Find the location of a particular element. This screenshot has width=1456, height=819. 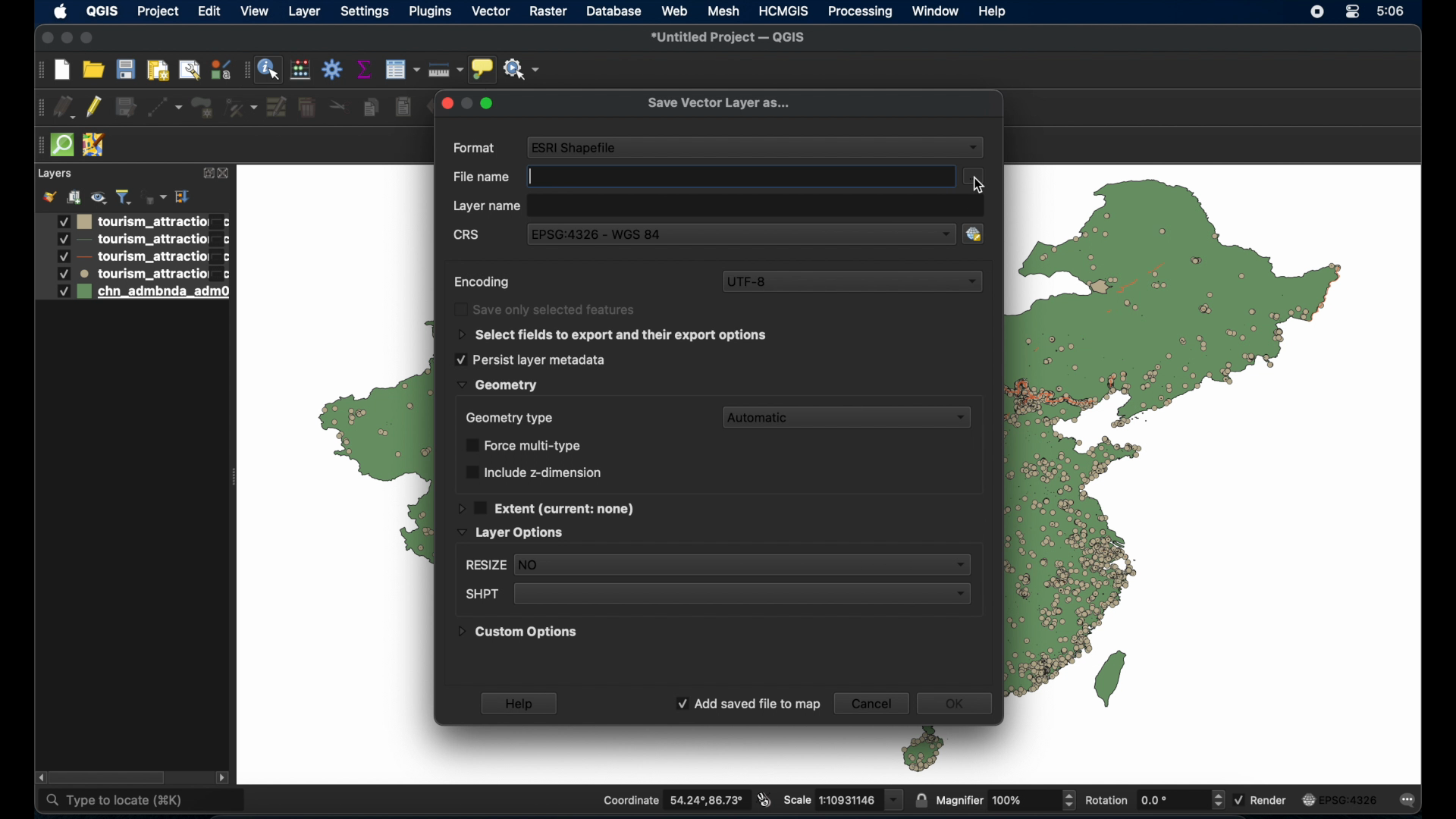

ok is located at coordinates (959, 705).